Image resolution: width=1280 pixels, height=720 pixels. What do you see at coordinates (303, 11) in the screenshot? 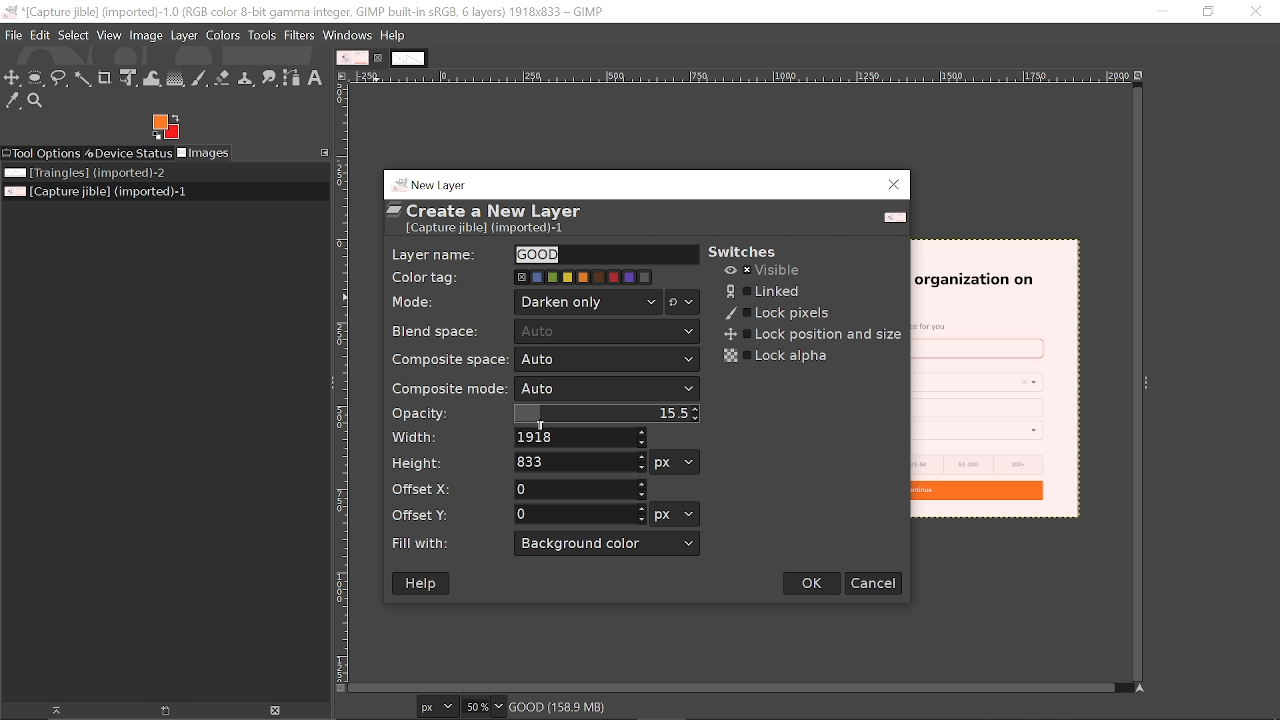
I see `Current window` at bounding box center [303, 11].